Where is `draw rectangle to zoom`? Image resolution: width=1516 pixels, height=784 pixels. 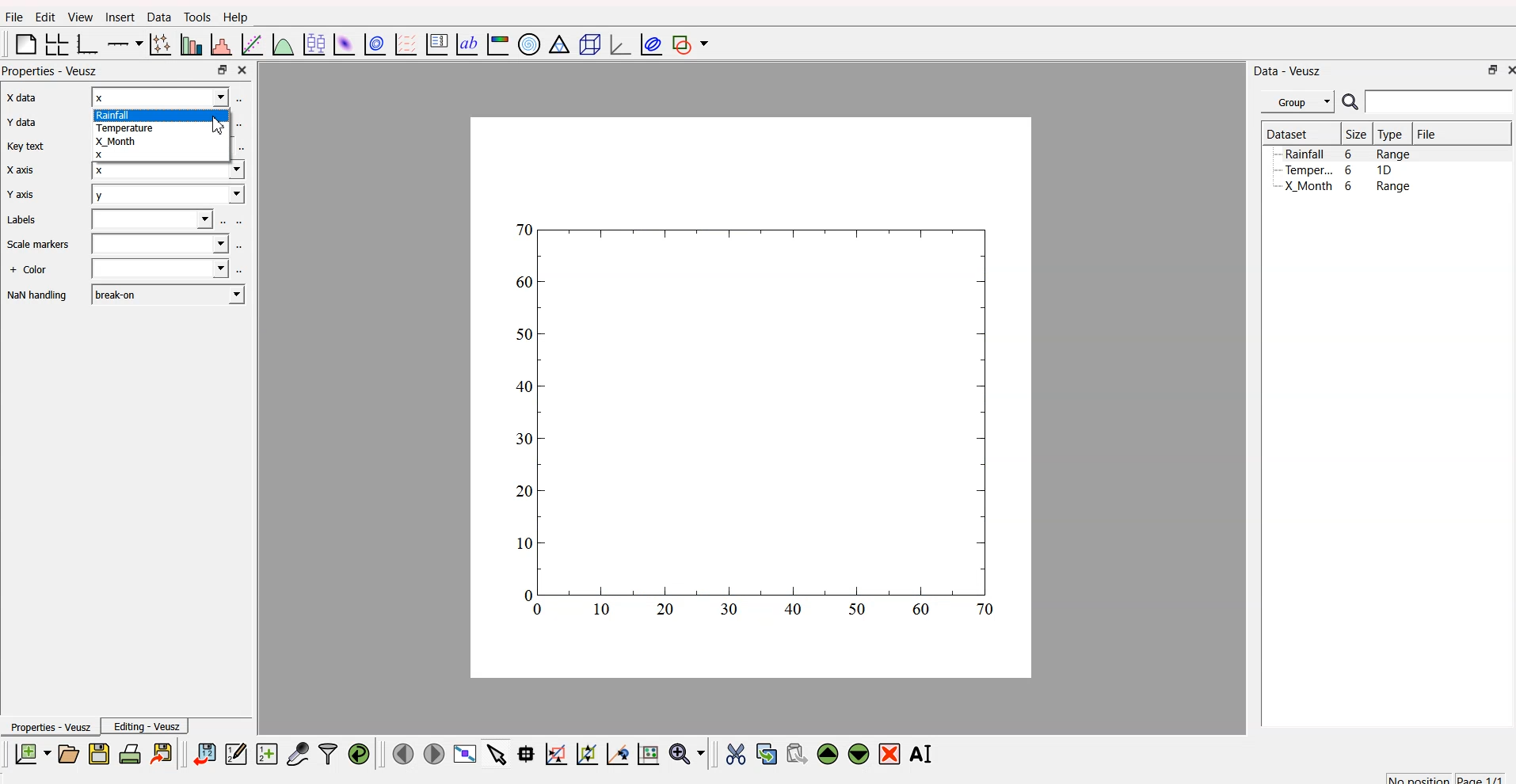
draw rectangle to zoom is located at coordinates (556, 753).